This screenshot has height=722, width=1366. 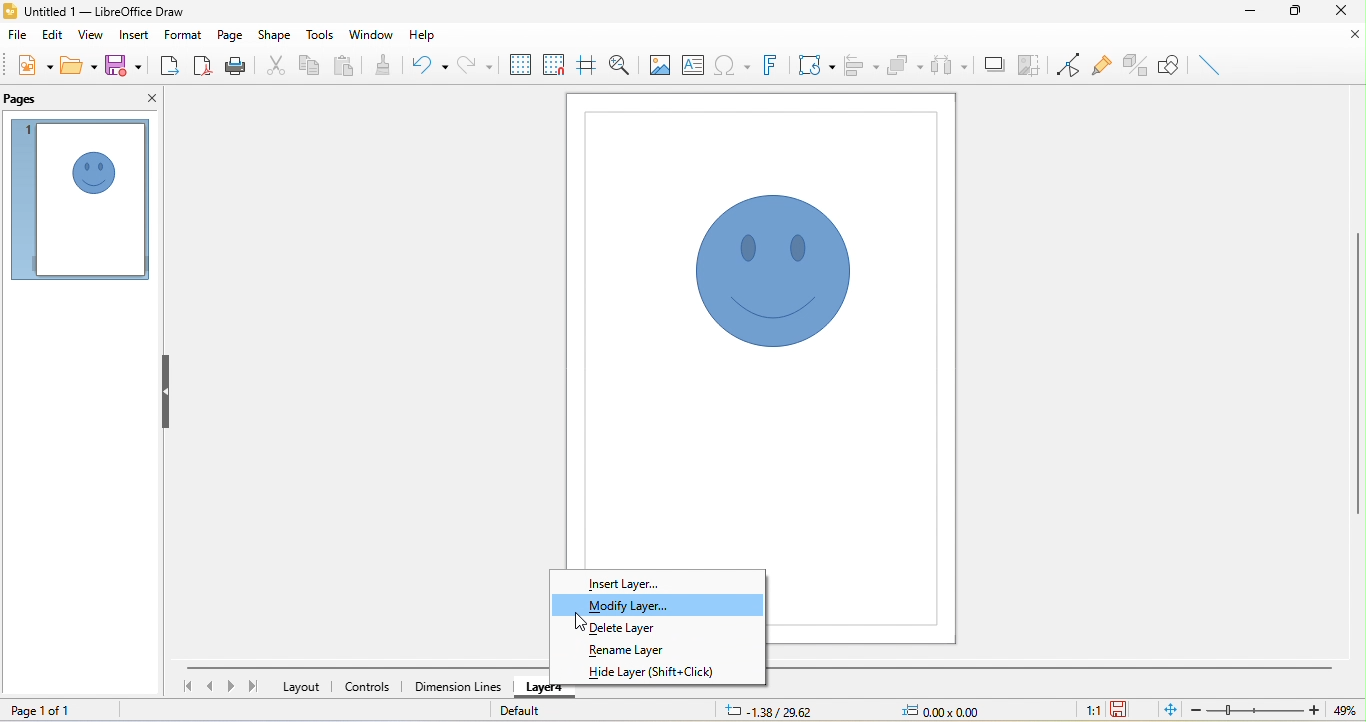 I want to click on cursor movement, so click(x=584, y=622).